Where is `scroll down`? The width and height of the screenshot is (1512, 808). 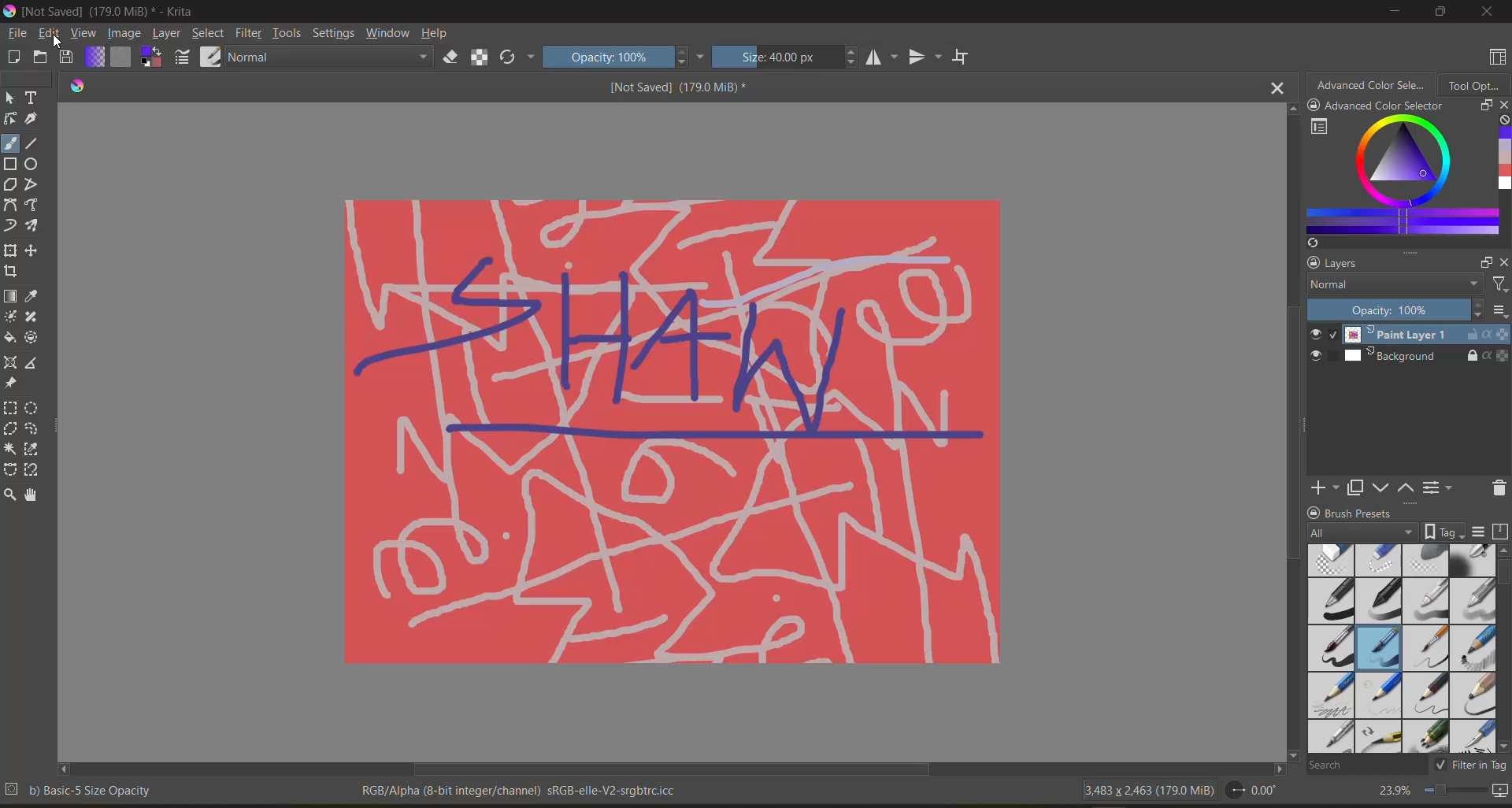
scroll down is located at coordinates (1503, 748).